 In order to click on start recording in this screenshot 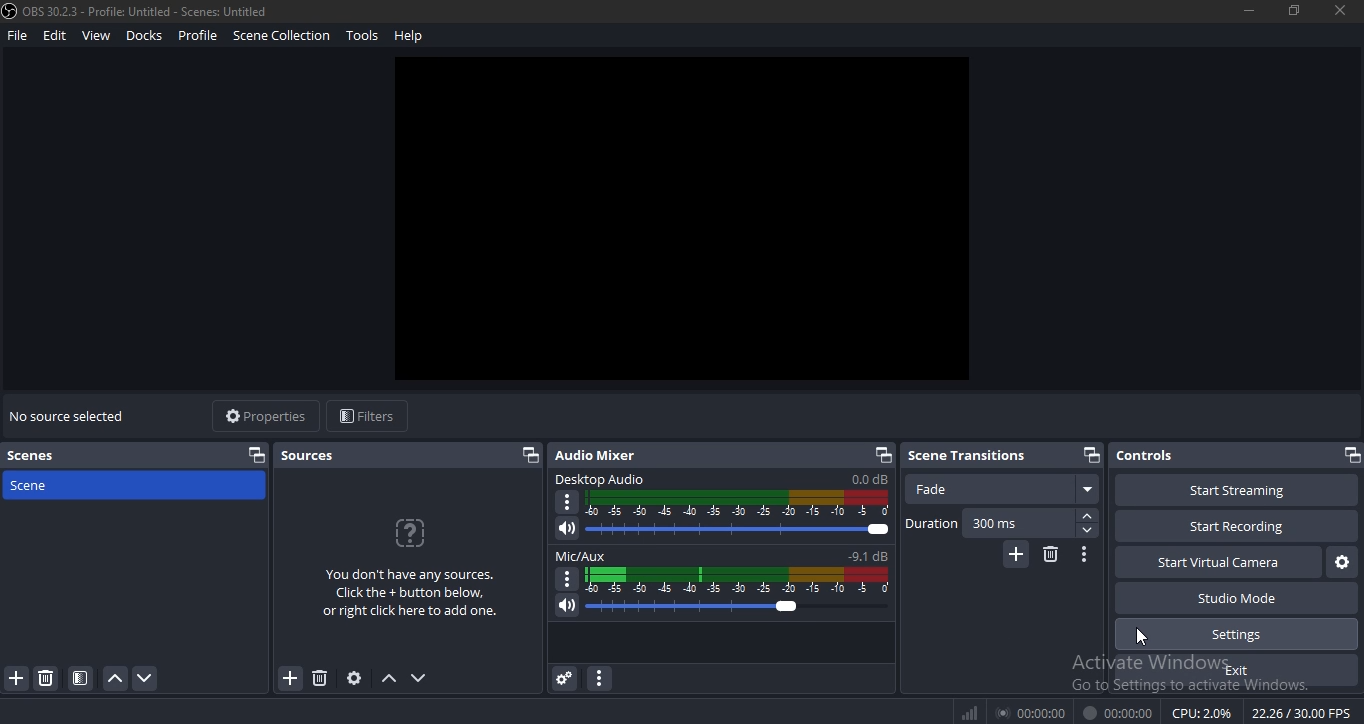, I will do `click(1231, 524)`.